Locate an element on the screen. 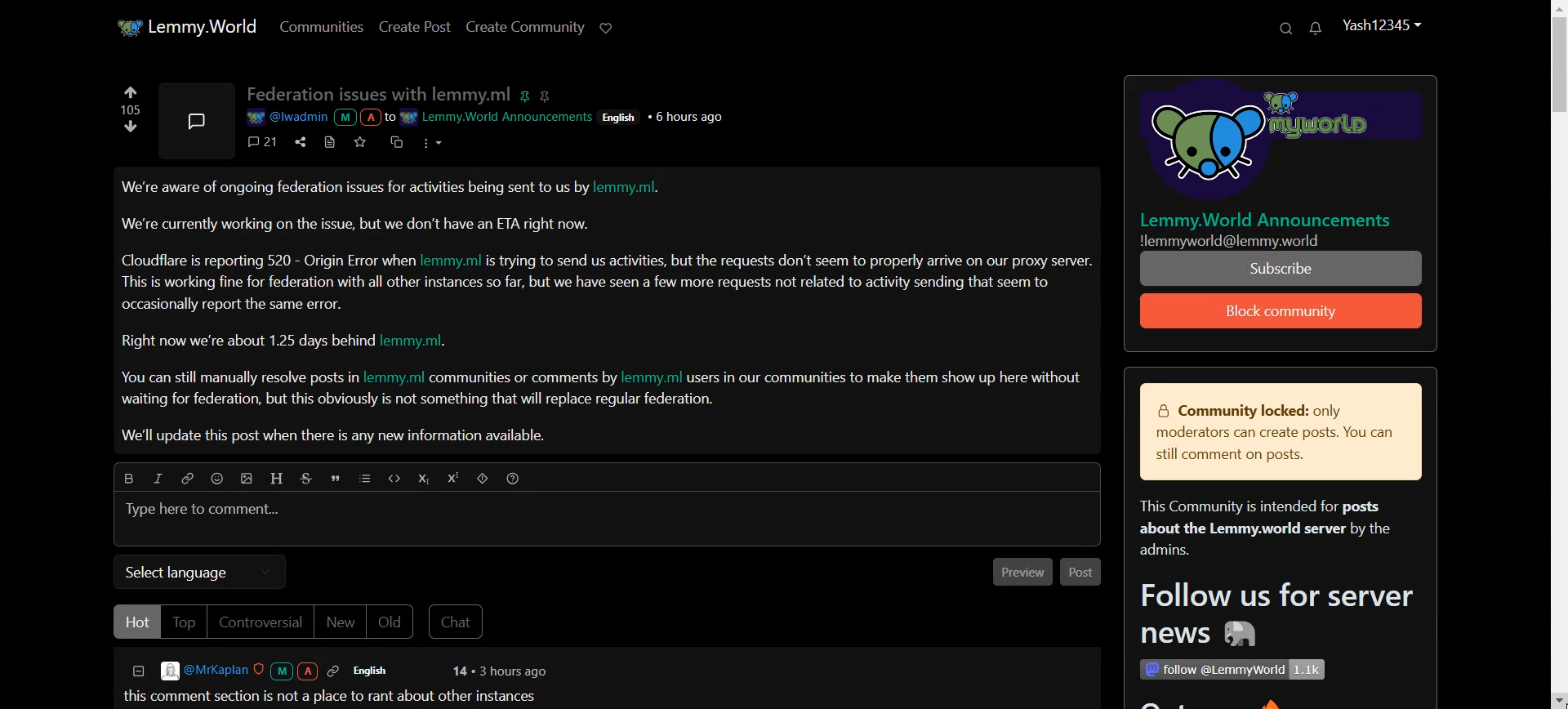 Image resolution: width=1568 pixels, height=709 pixels. communities or comments by is located at coordinates (523, 378).